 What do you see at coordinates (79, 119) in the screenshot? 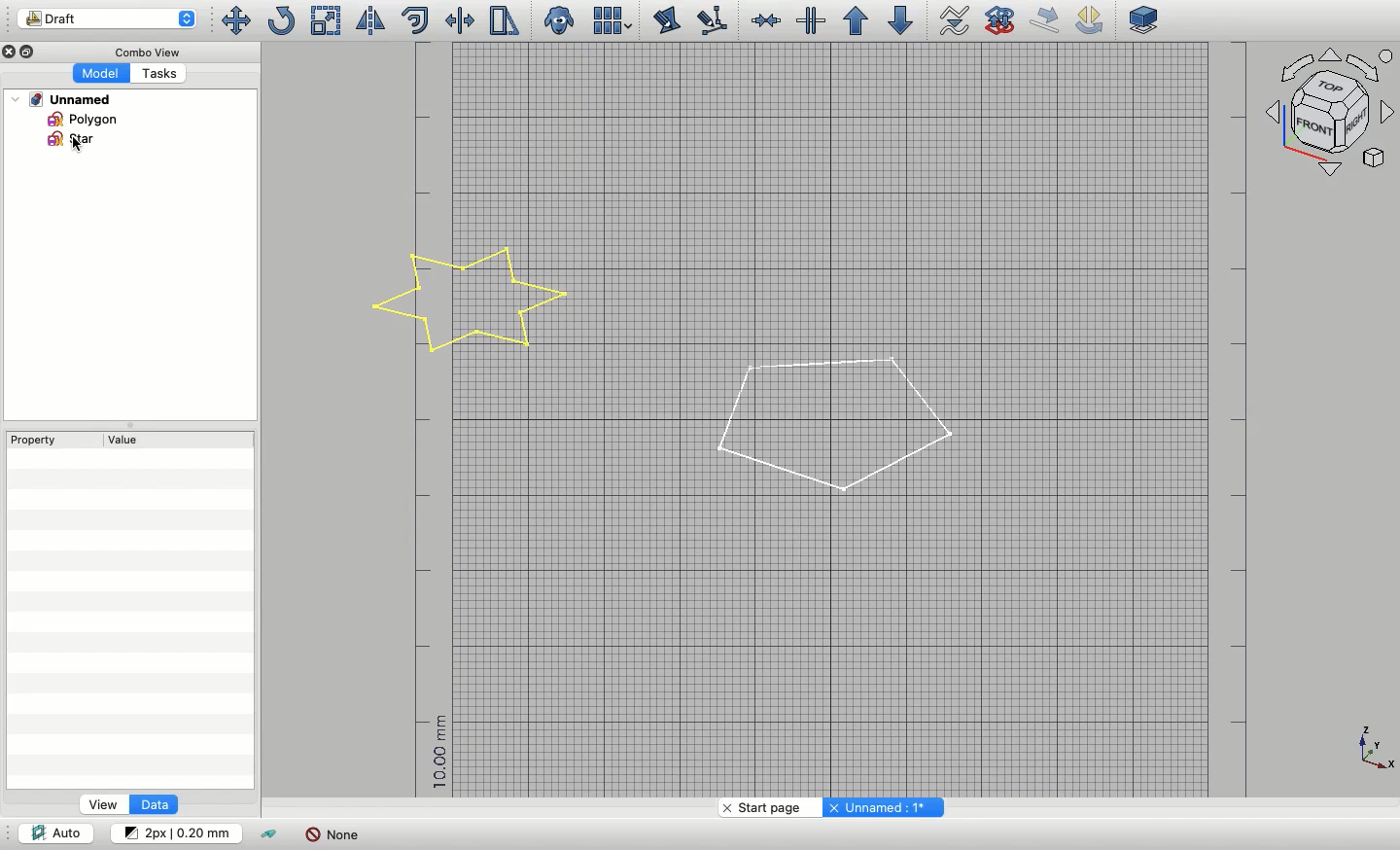
I see `Polygon` at bounding box center [79, 119].